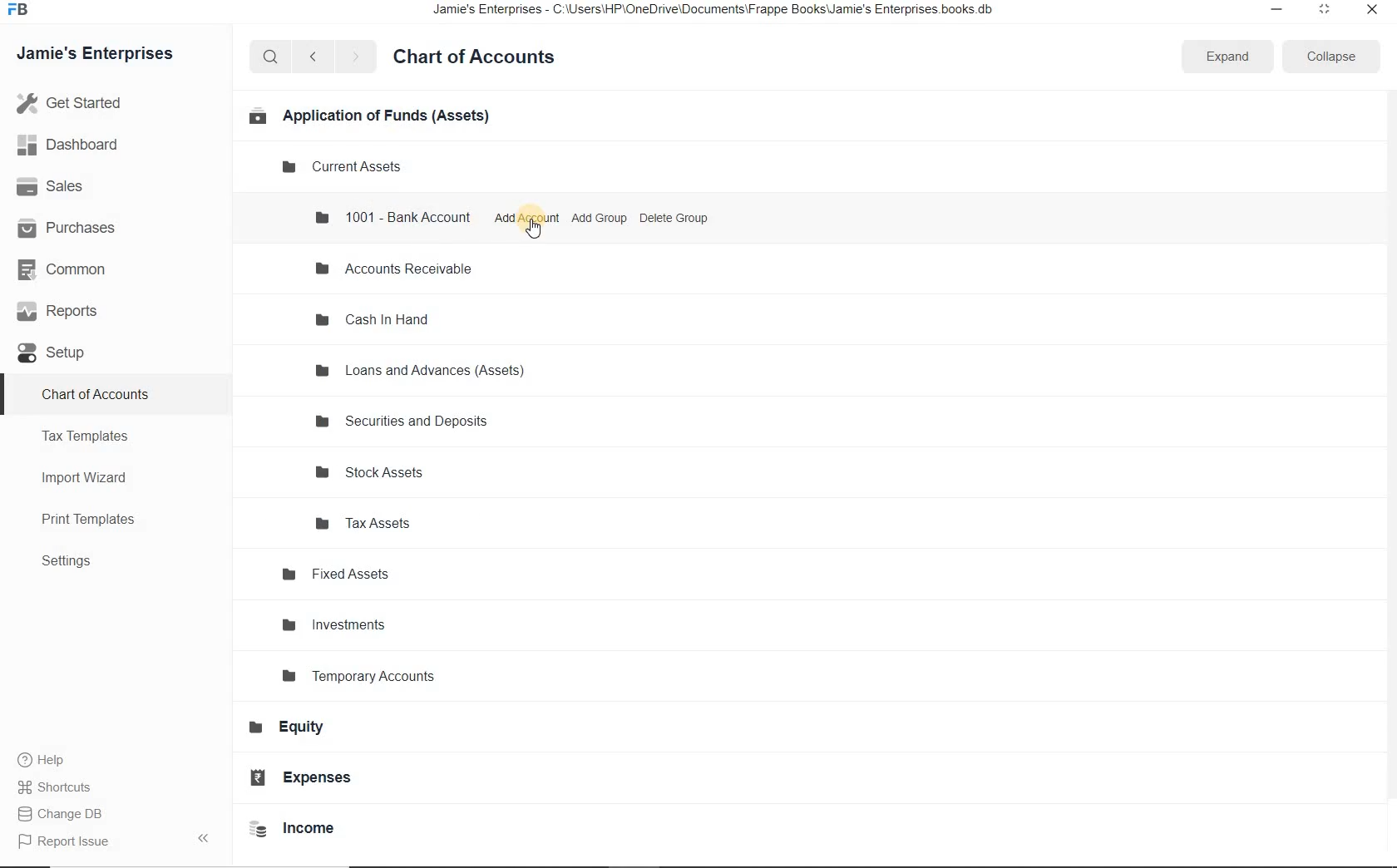 This screenshot has height=868, width=1397. I want to click on Equity, so click(297, 728).